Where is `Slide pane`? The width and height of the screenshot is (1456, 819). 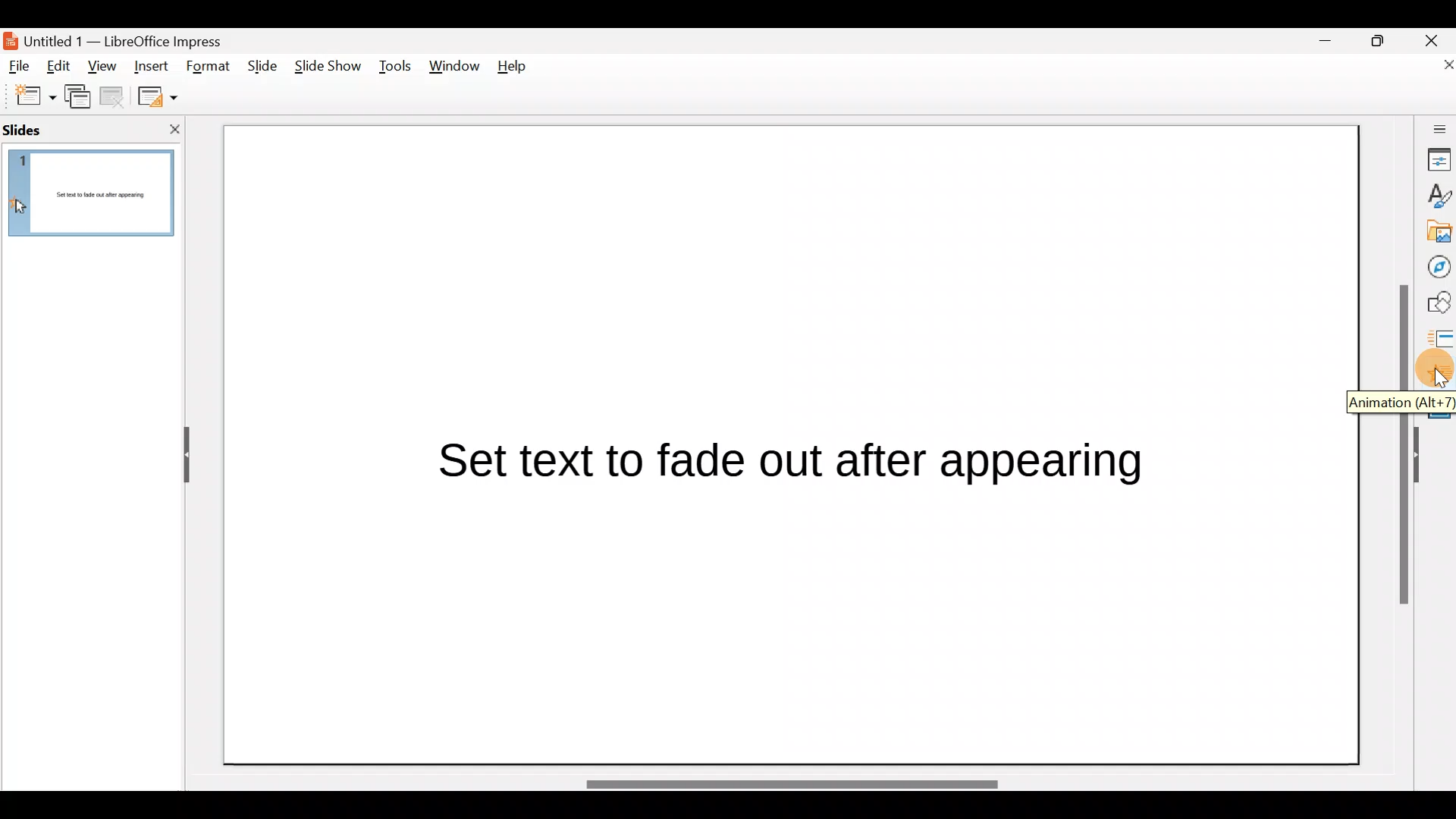 Slide pane is located at coordinates (93, 199).